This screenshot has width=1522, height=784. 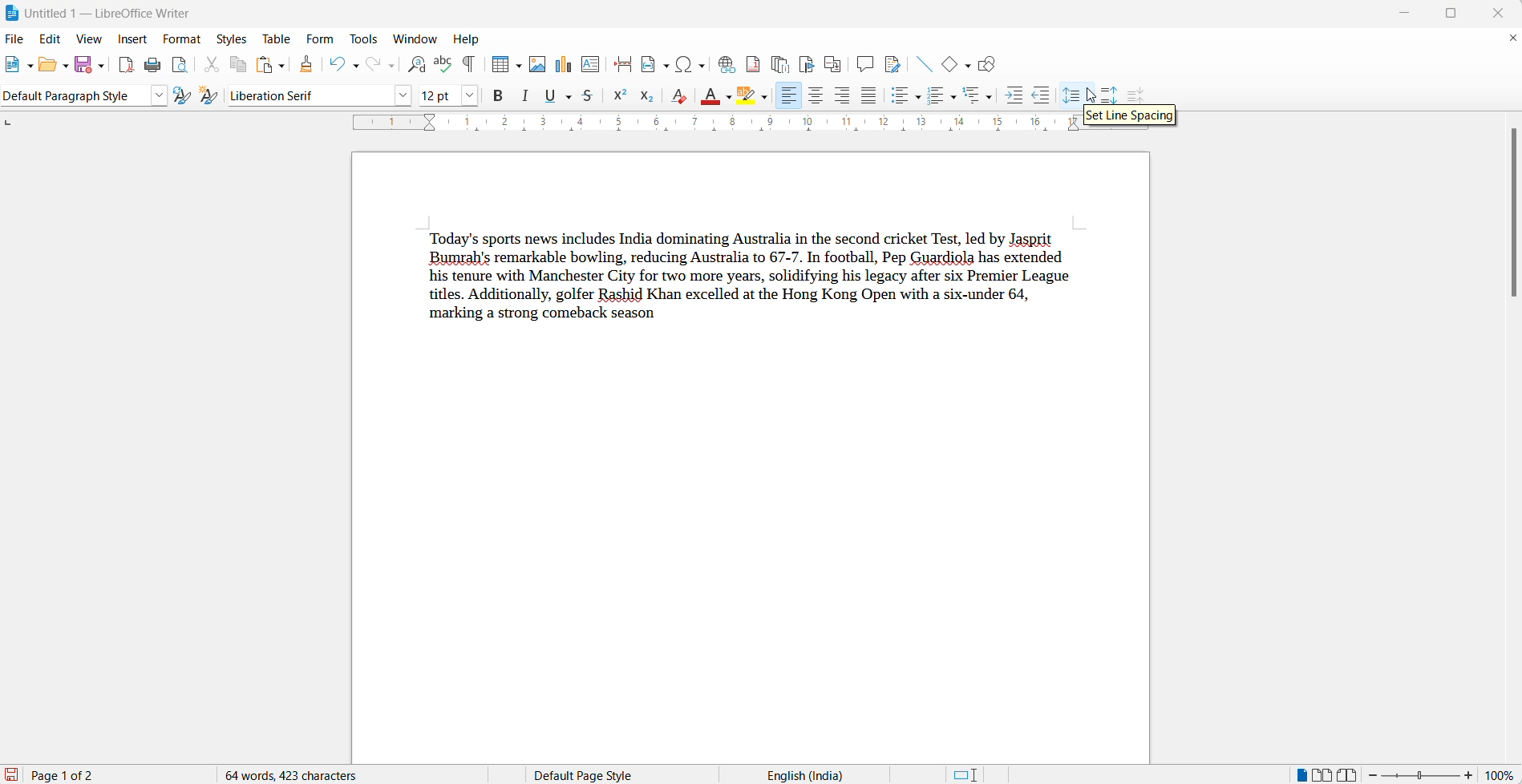 I want to click on Today's sports news includes India dominating Australia in the second cricket Test, led by Jasprit
Bumrah's remarkable bowling, reducing Australia to 67-7. In football, Pep Guardiola has extended
his tenure with Manchester City for two more years, solidifying his legacy after six Premier League
titles. Additionally, golfer Rashid Khan excelled at the Hong Kong Open with a six-under 64,
marking a strong comeback season, so click(x=763, y=285).